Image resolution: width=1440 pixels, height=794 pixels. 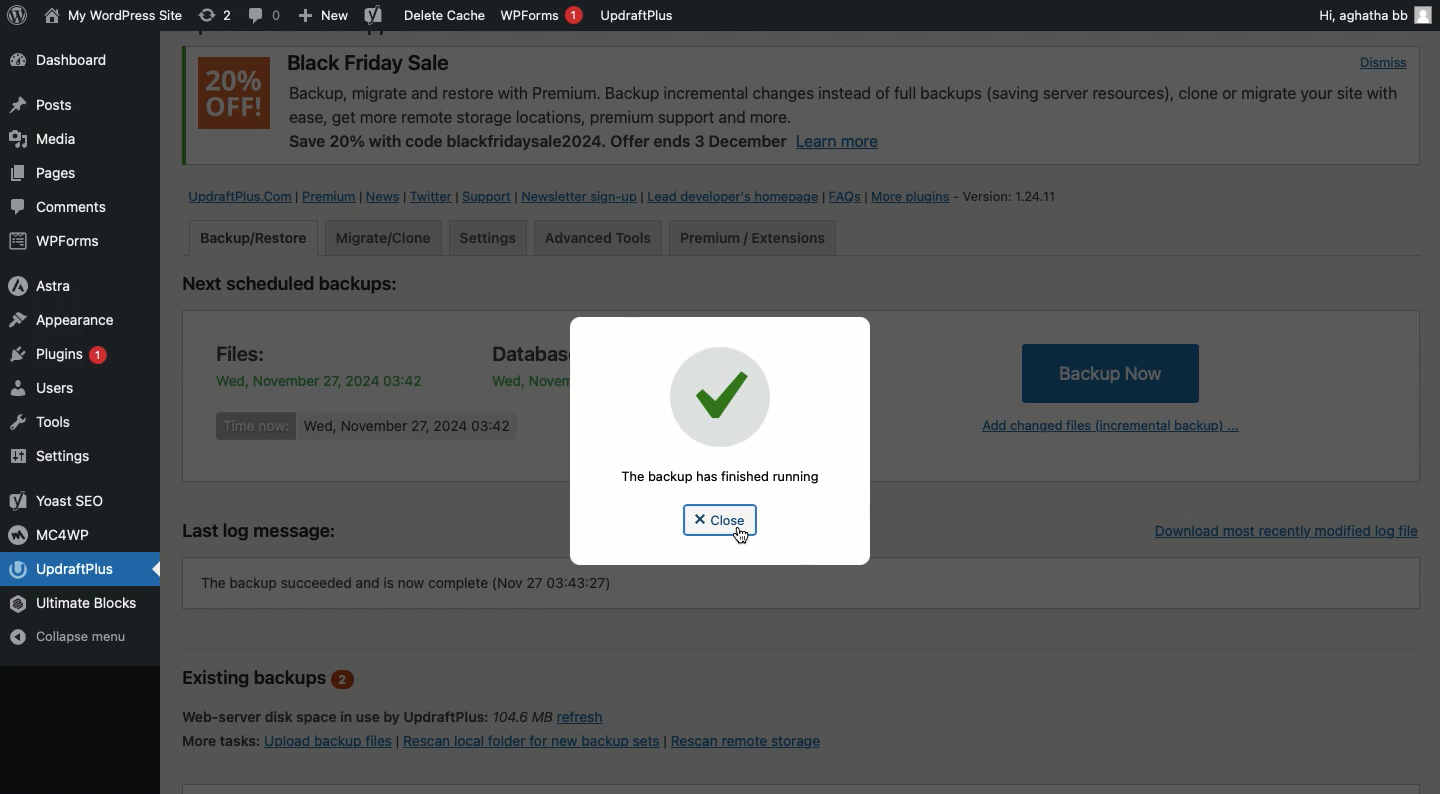 What do you see at coordinates (445, 15) in the screenshot?
I see `Delete cache` at bounding box center [445, 15].